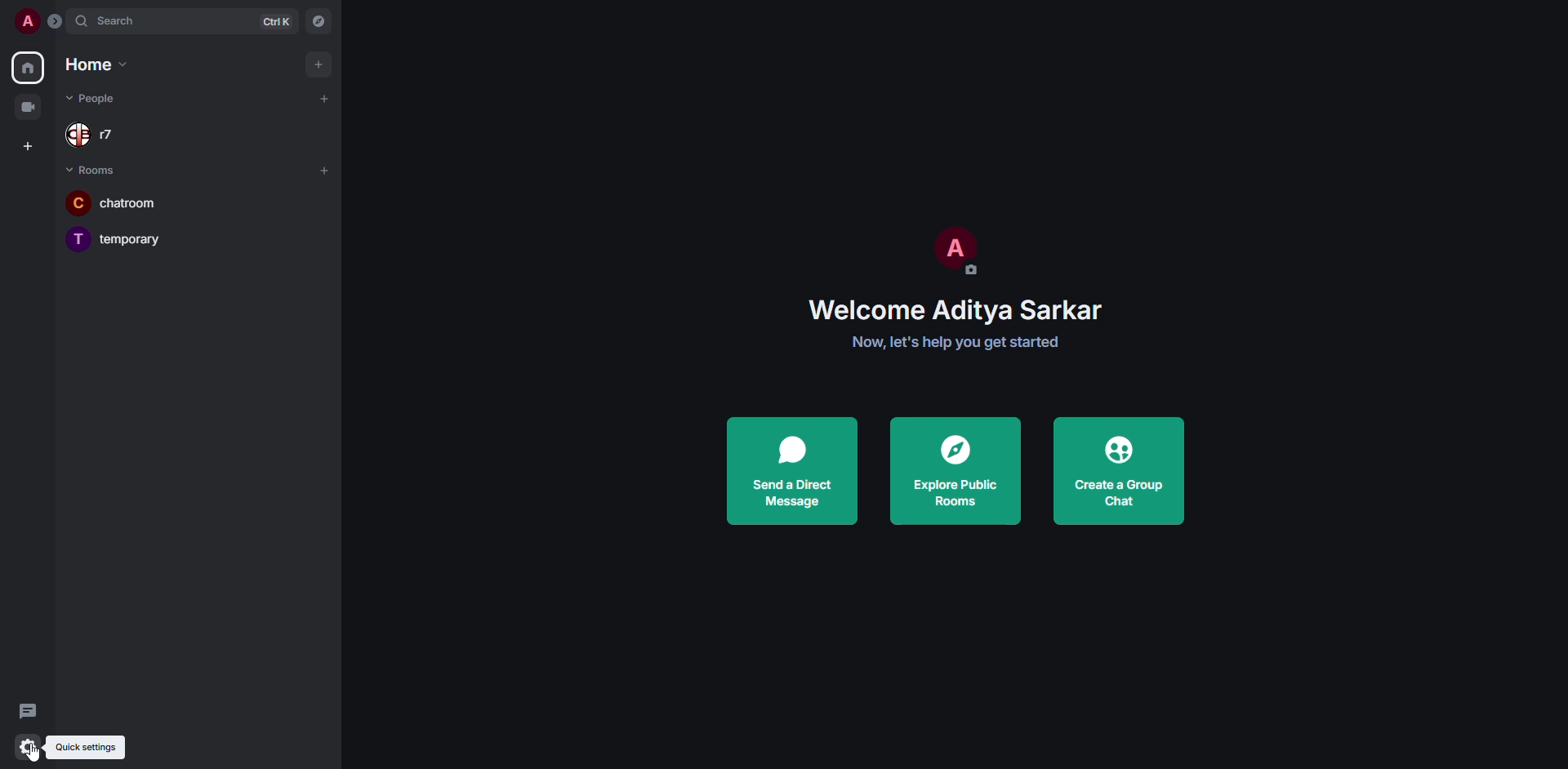  What do you see at coordinates (105, 98) in the screenshot?
I see `people` at bounding box center [105, 98].